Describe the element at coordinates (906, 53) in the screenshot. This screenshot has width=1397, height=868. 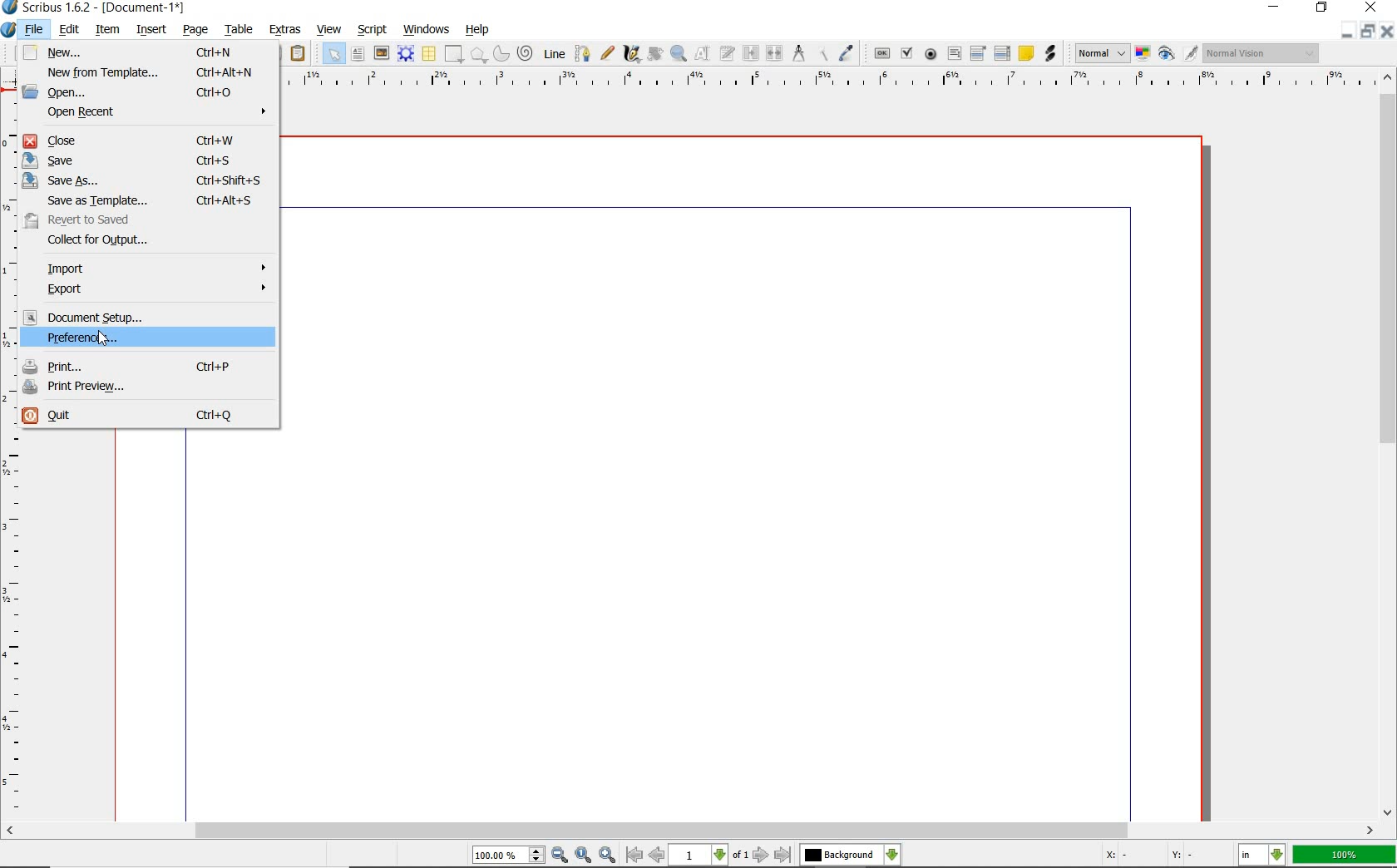
I see `pdf check box` at that location.